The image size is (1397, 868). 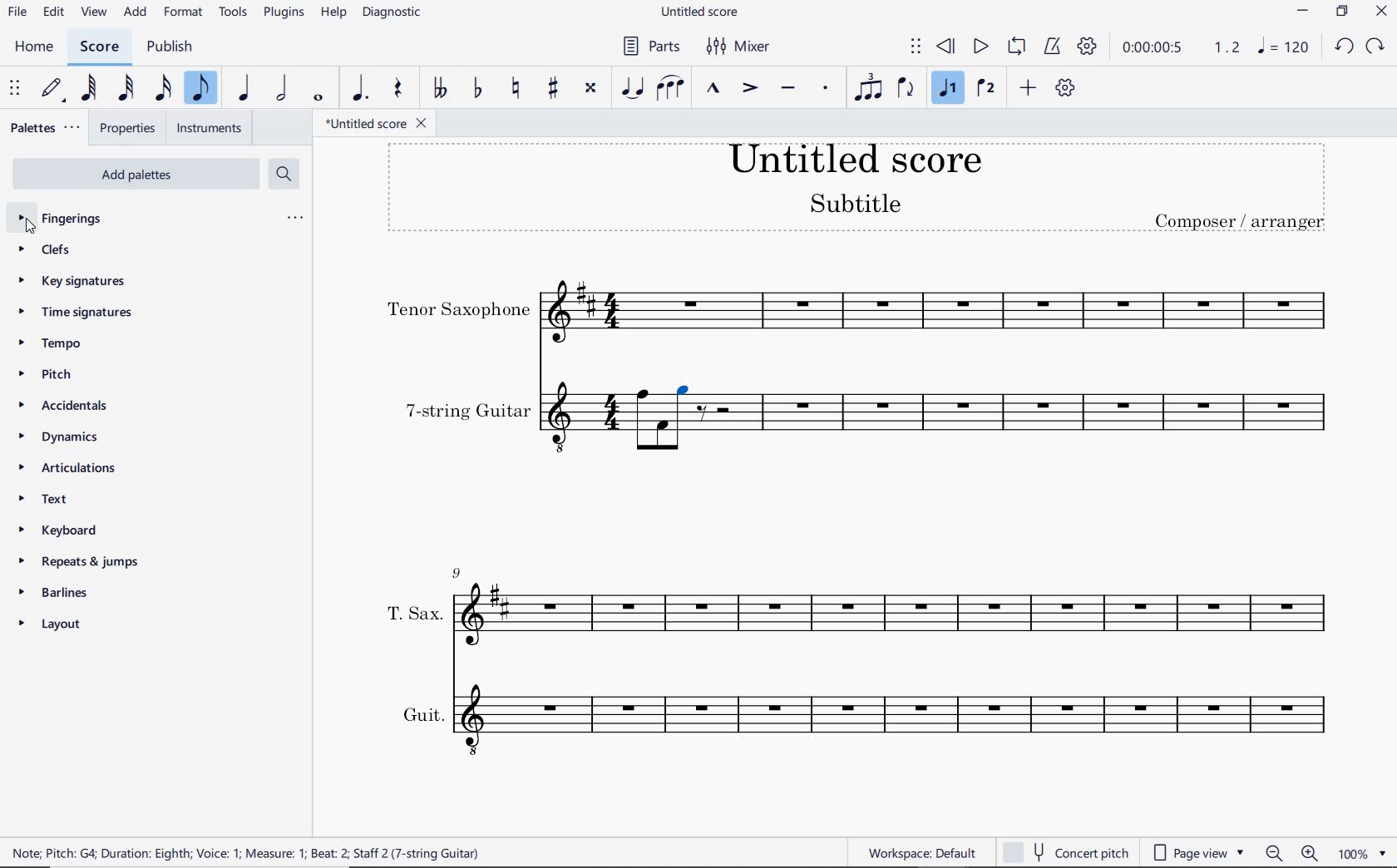 I want to click on PARTS, so click(x=650, y=48).